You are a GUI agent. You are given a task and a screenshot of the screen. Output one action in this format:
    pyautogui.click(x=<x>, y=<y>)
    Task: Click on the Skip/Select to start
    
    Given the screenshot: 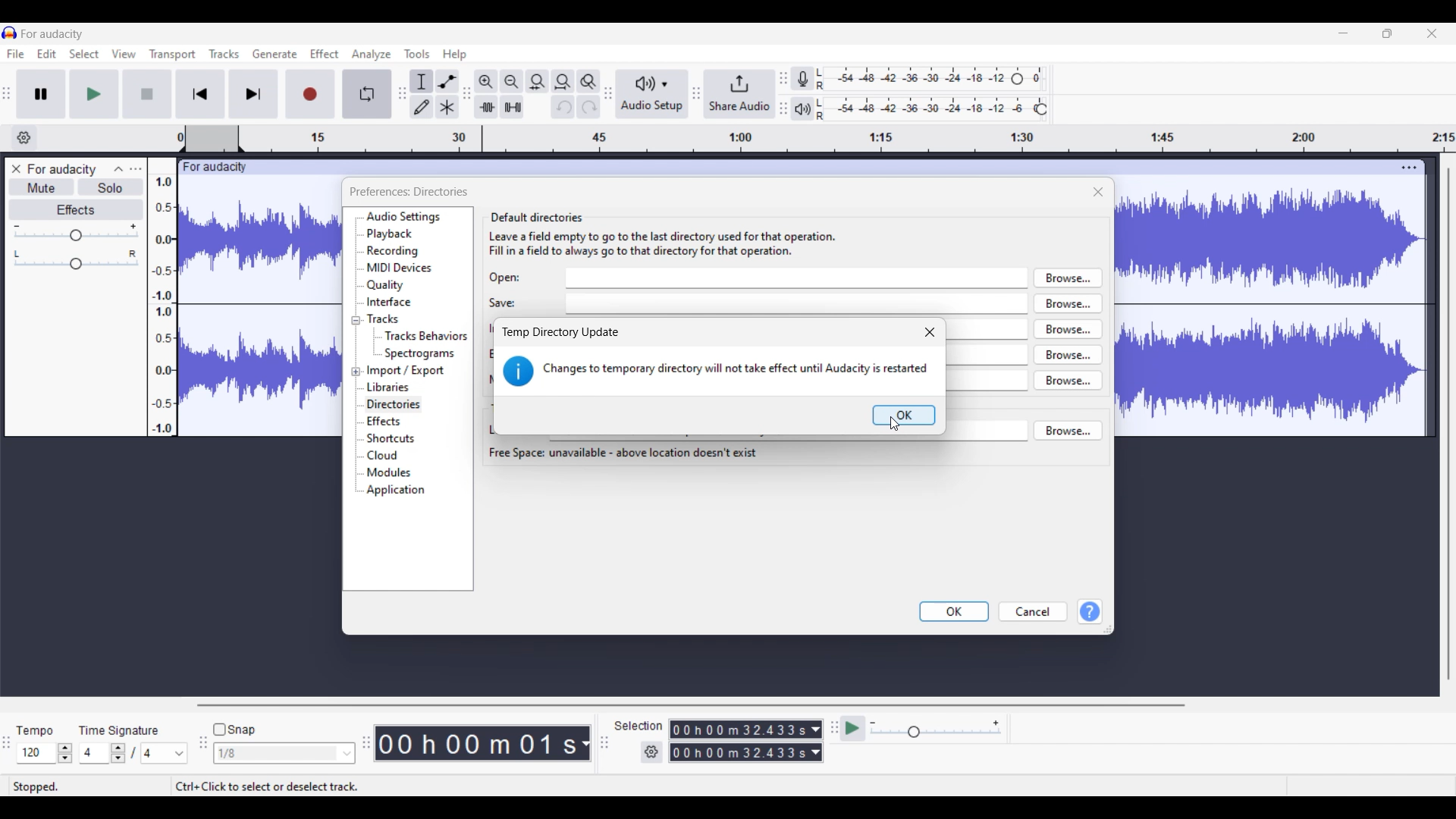 What is the action you would take?
    pyautogui.click(x=200, y=94)
    